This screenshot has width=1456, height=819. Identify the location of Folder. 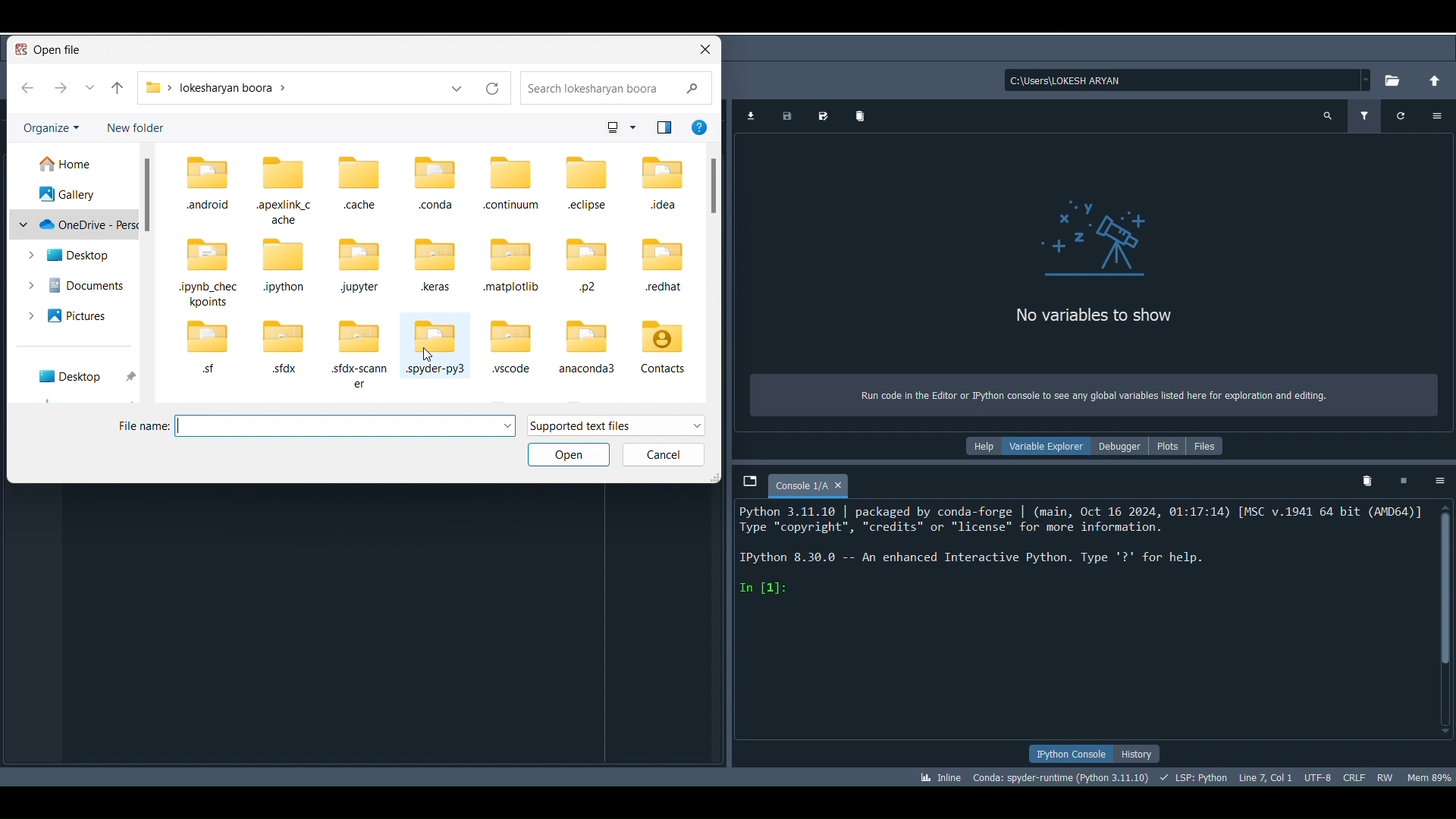
(585, 267).